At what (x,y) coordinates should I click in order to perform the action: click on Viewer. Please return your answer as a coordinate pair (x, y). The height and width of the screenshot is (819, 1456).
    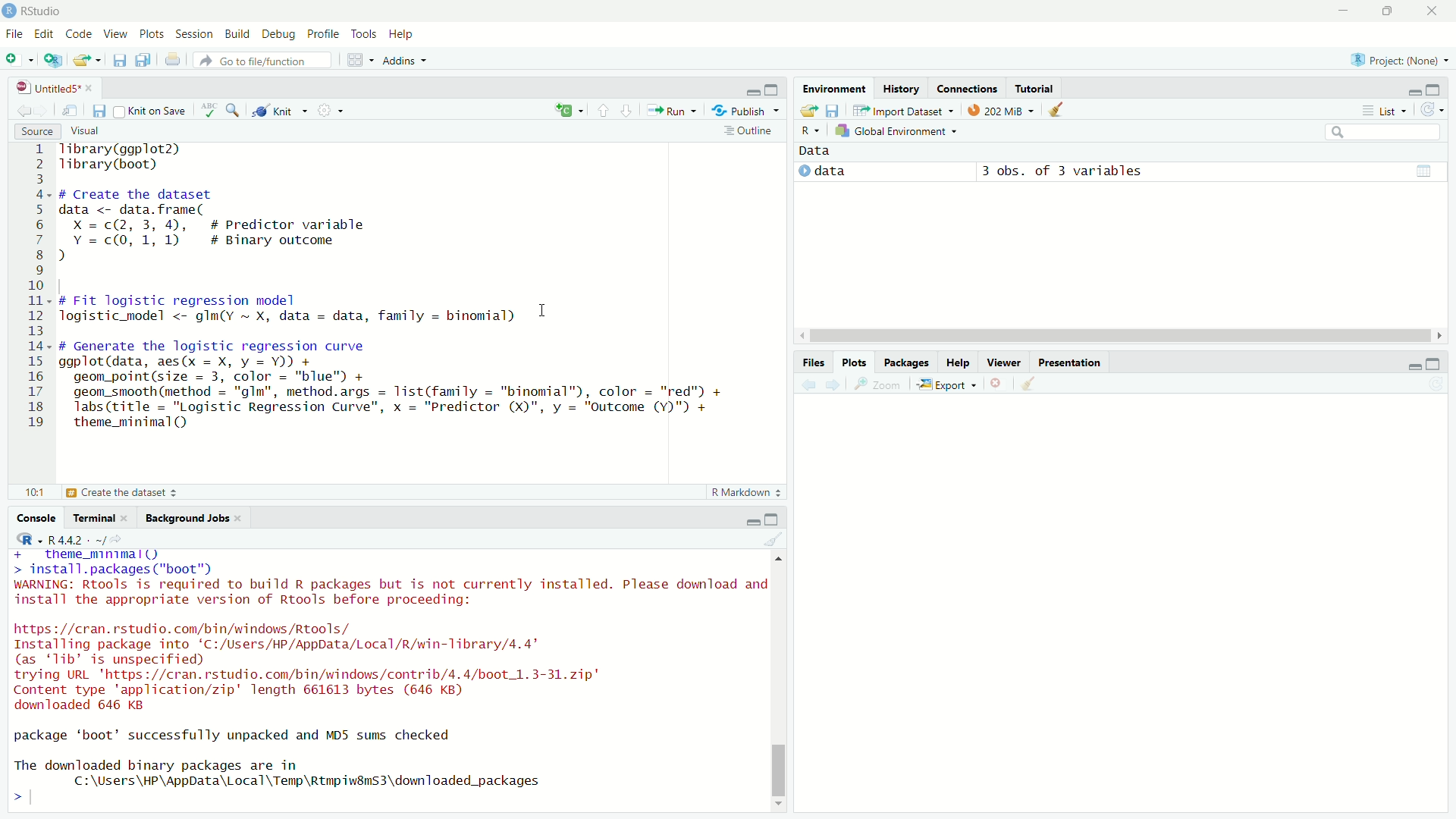
    Looking at the image, I should click on (1004, 361).